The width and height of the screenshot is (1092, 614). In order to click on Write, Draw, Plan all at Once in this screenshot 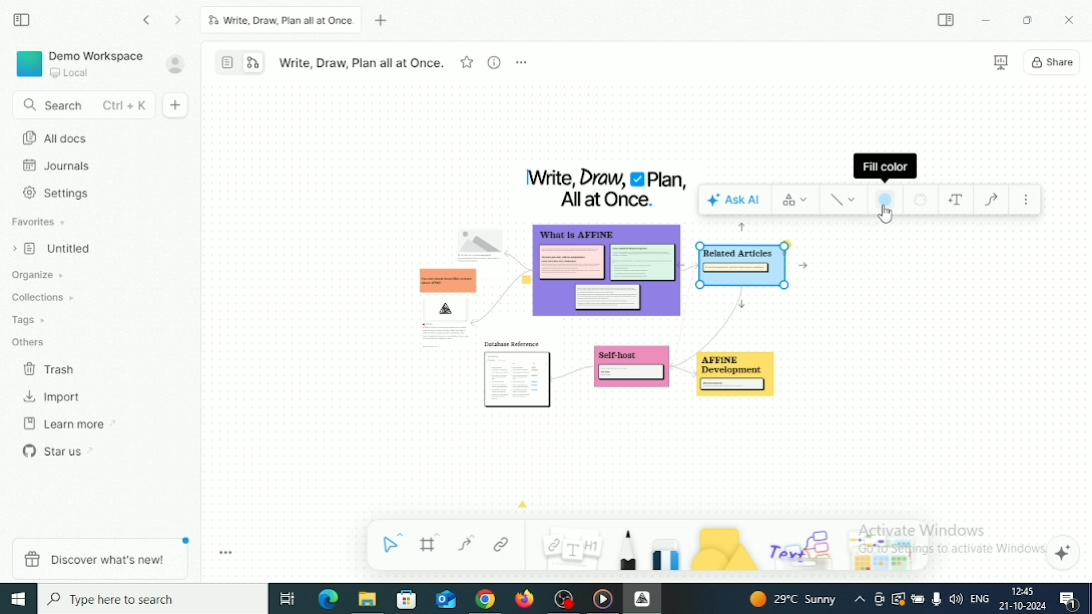, I will do `click(361, 63)`.